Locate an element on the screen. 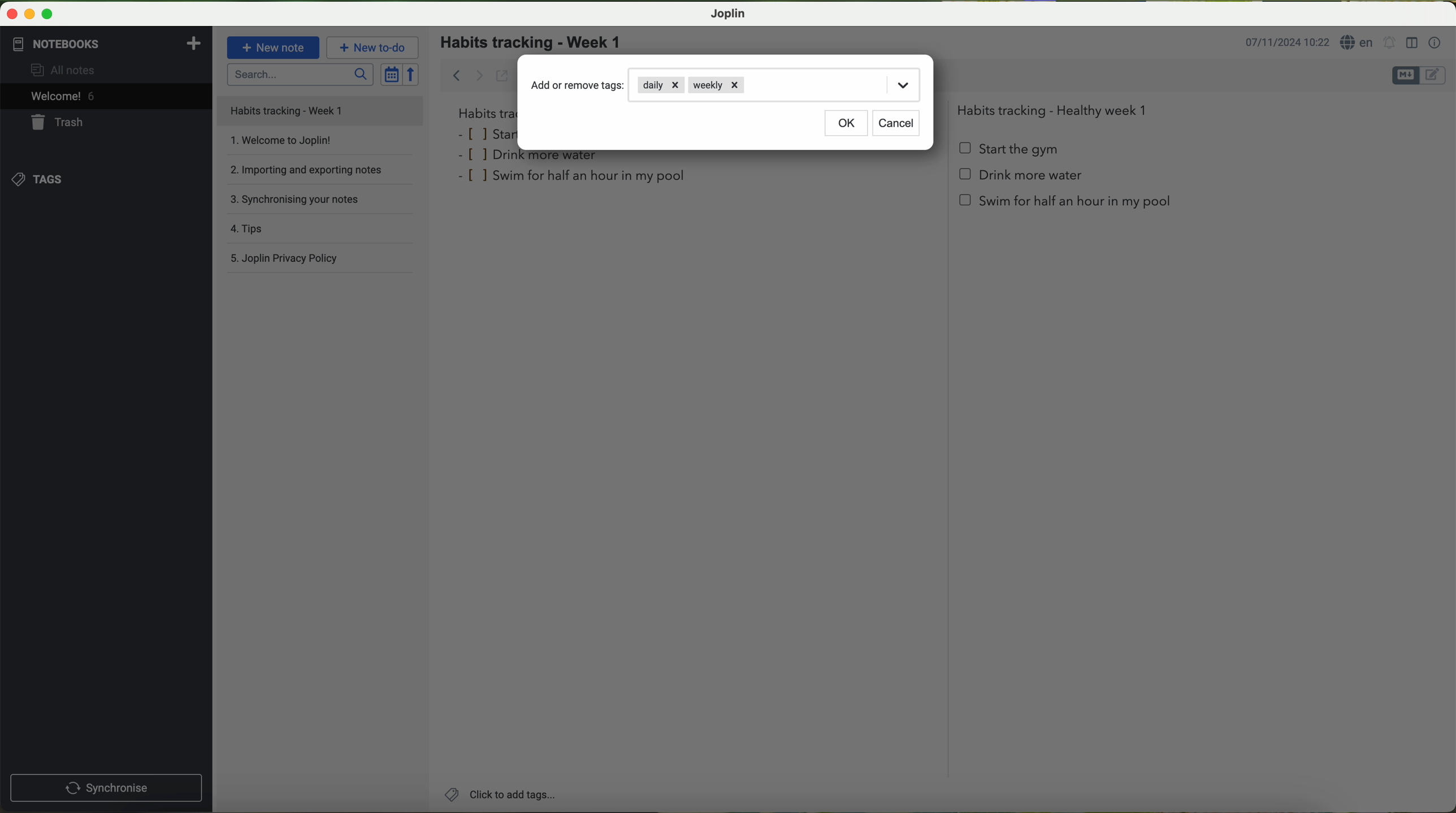 The width and height of the screenshot is (1456, 813). Drink more water is located at coordinates (1021, 179).